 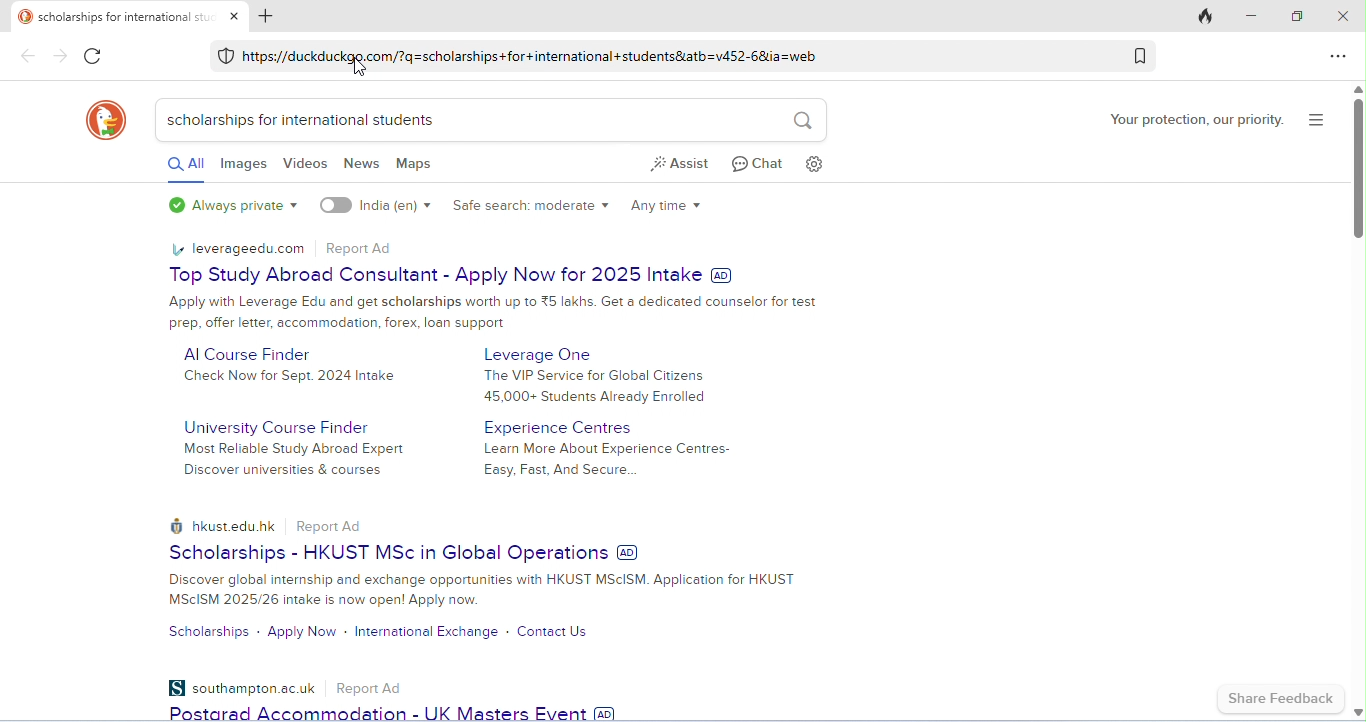 What do you see at coordinates (680, 163) in the screenshot?
I see `assist` at bounding box center [680, 163].